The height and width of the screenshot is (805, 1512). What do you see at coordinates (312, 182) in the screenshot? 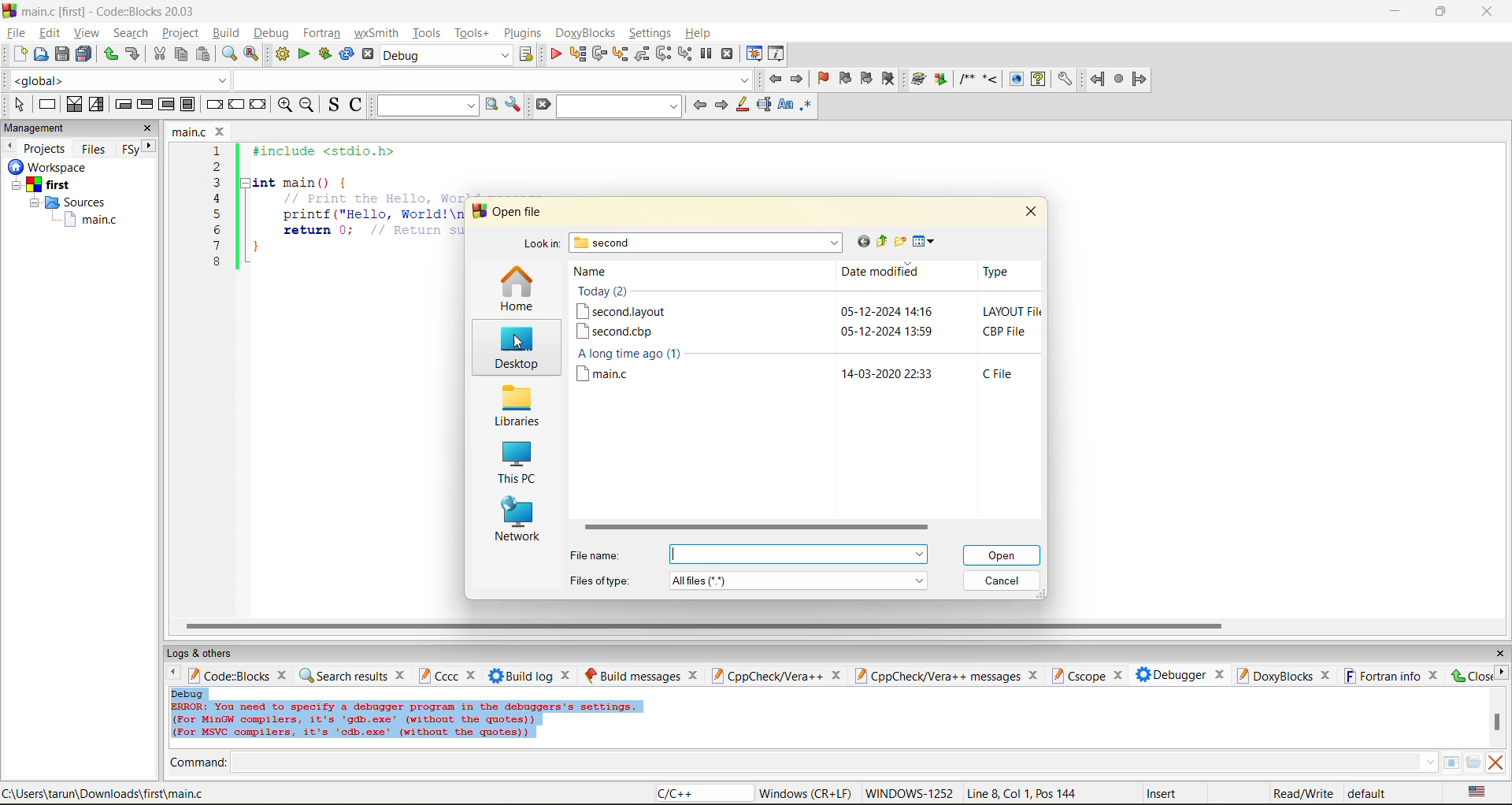
I see `int main(){` at bounding box center [312, 182].